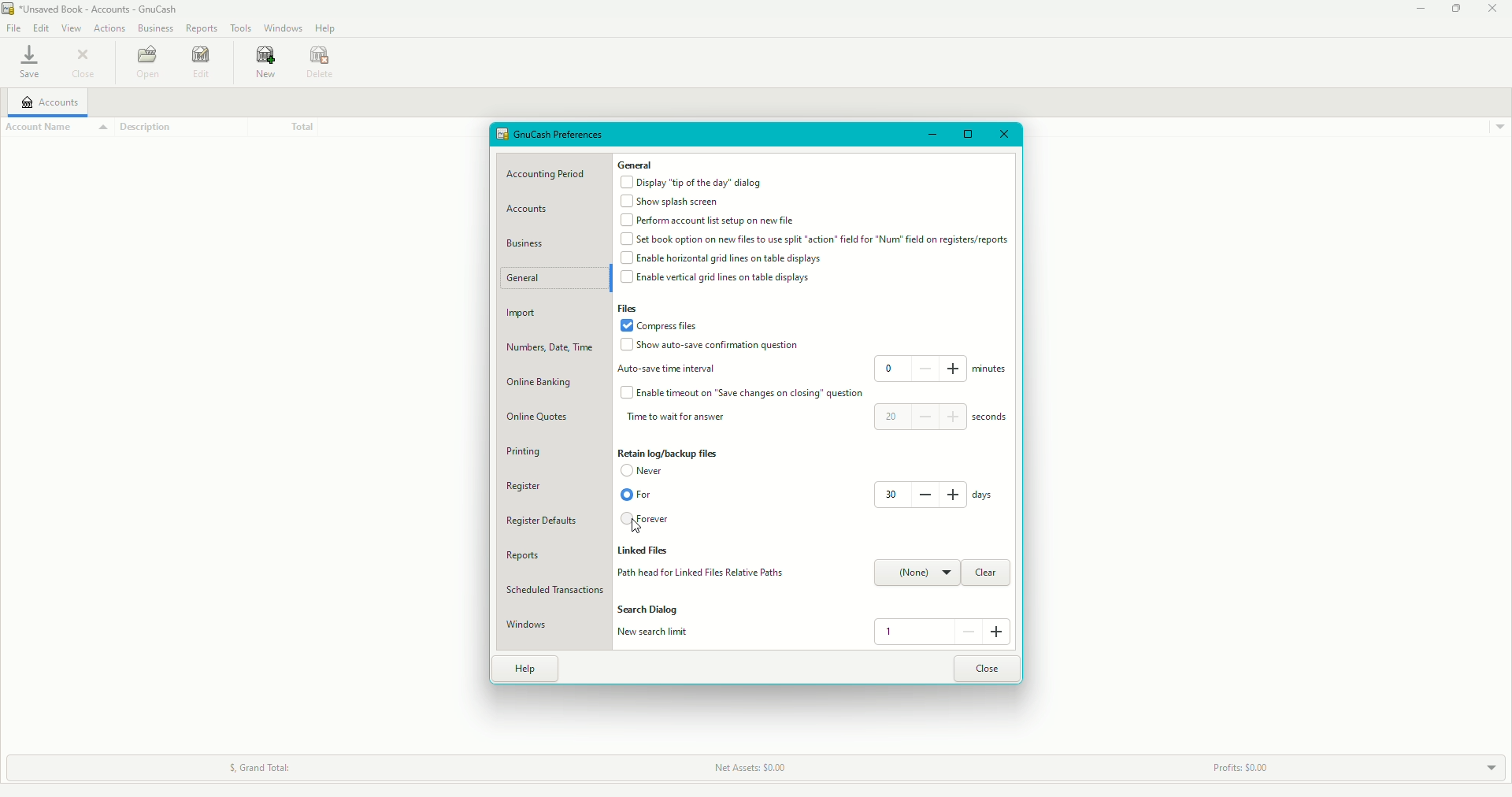  Describe the element at coordinates (693, 182) in the screenshot. I see `Display 'tip of the day'` at that location.